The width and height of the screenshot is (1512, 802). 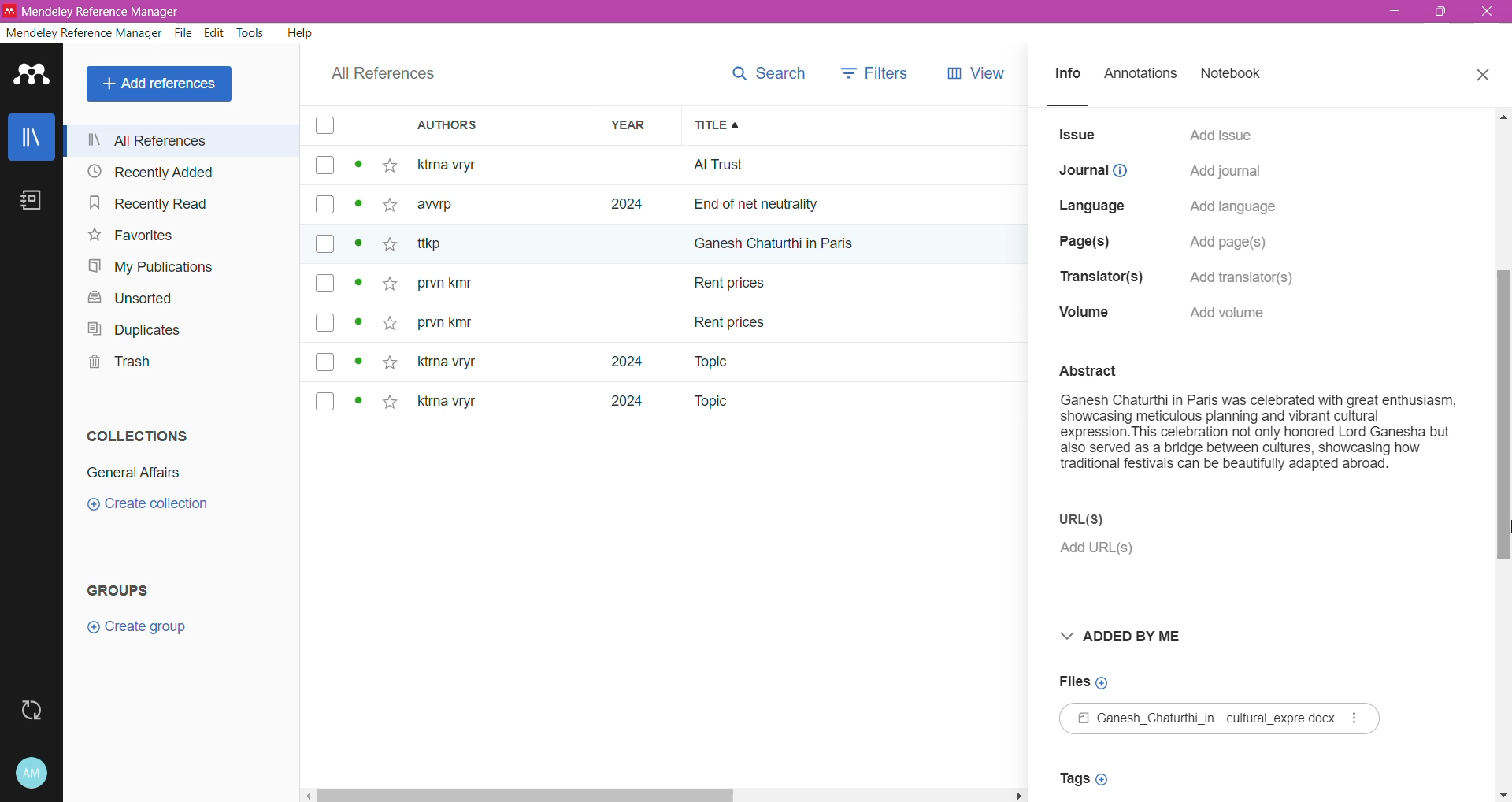 I want to click on Abstract of the selected reference, so click(x=1258, y=427).